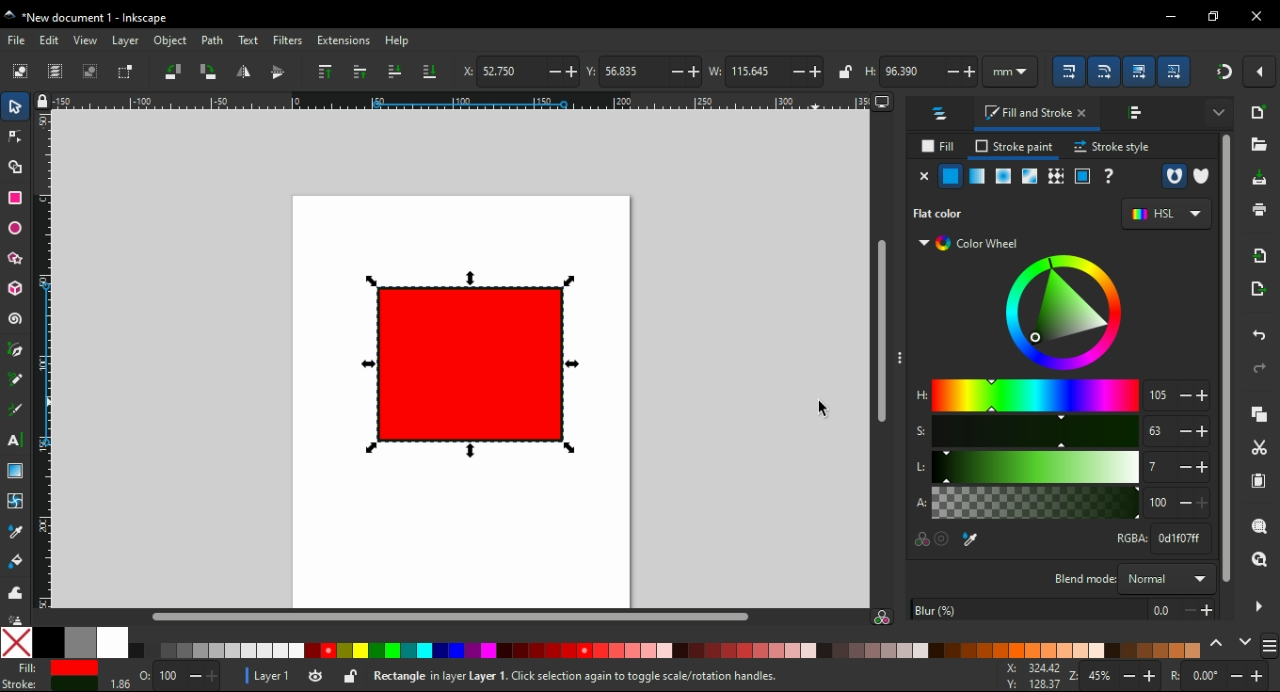  I want to click on scroll bar, so click(442, 616).